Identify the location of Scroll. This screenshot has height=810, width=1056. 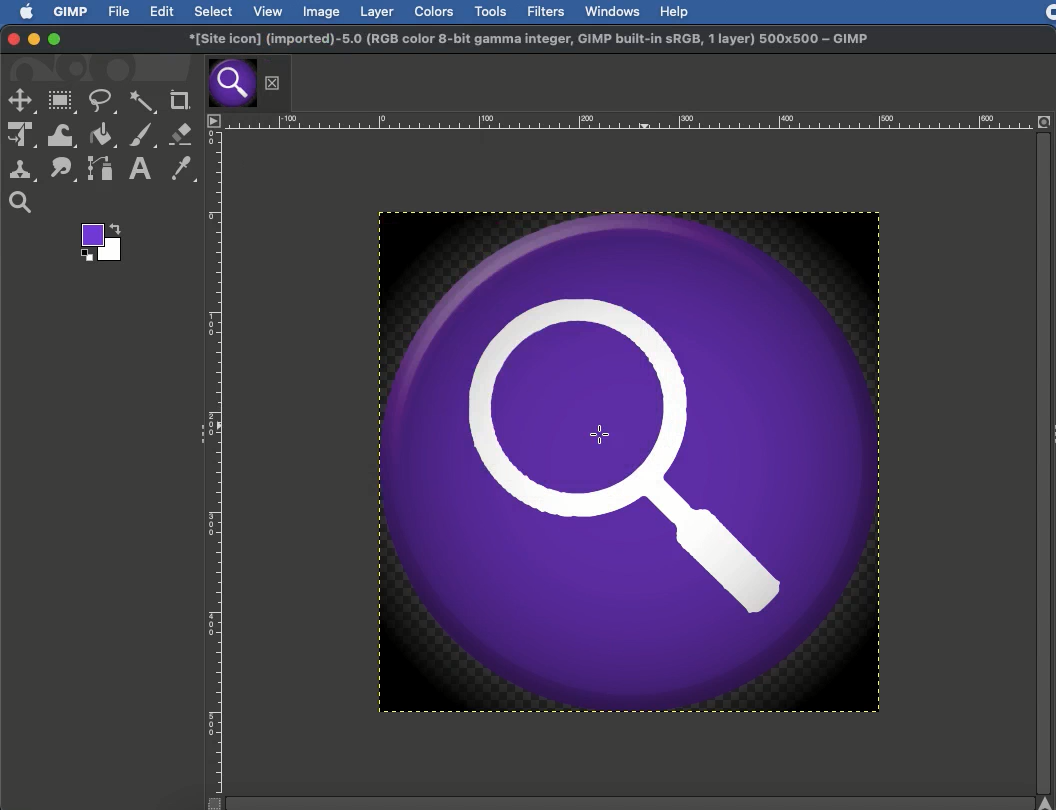
(617, 802).